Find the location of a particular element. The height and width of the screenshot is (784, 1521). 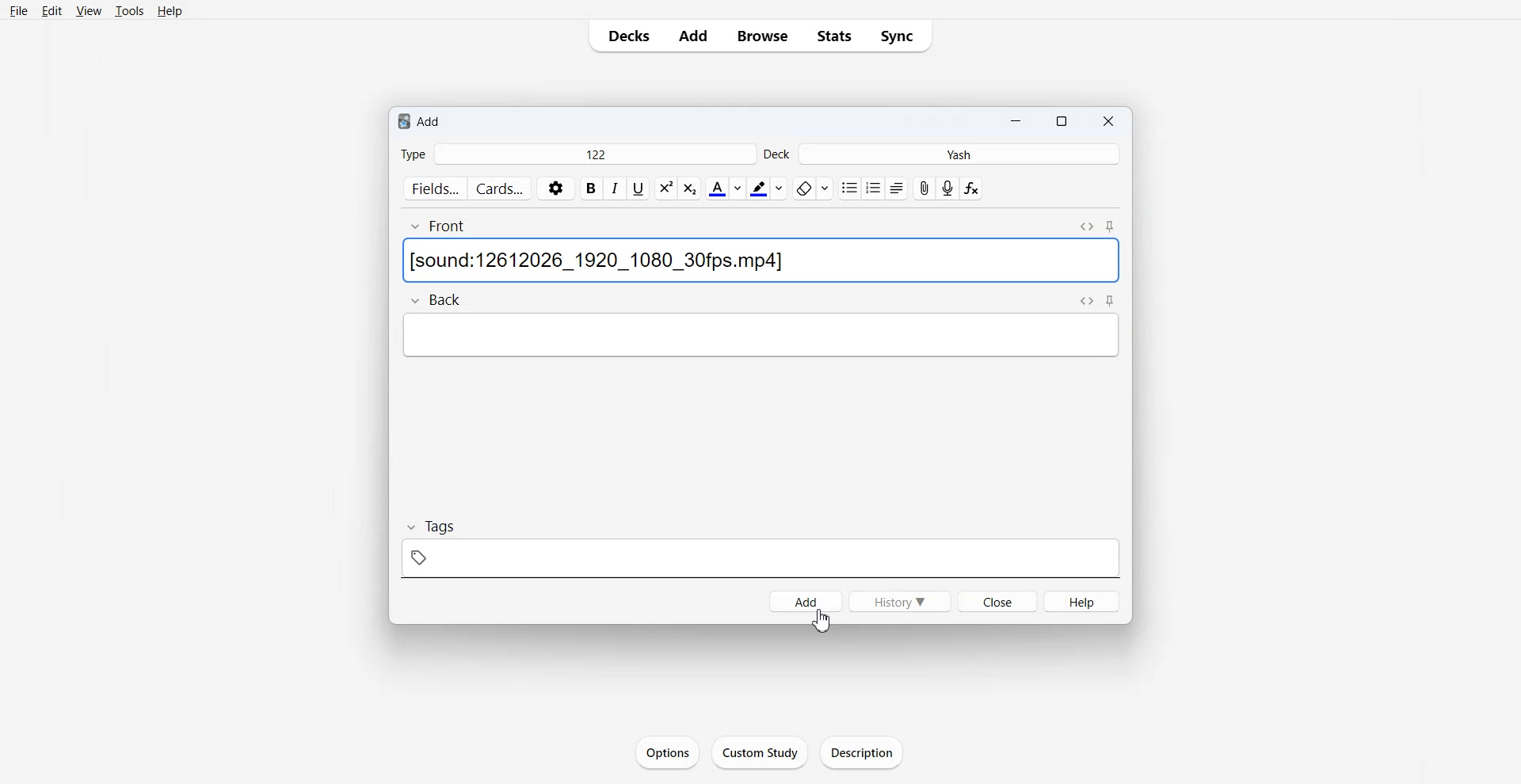

Options is located at coordinates (667, 751).